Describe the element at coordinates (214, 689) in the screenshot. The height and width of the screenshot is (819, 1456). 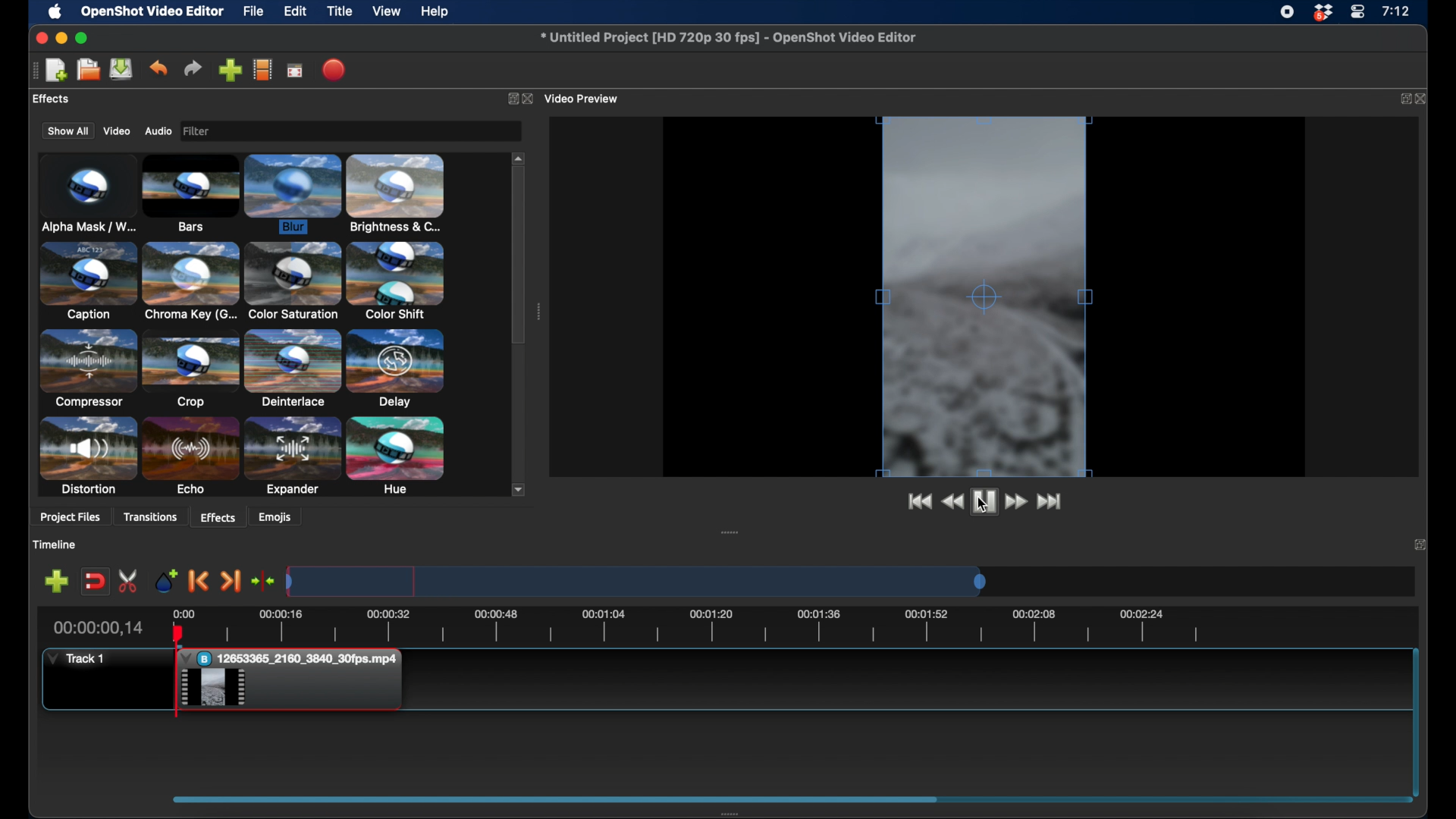
I see `Cursor` at that location.